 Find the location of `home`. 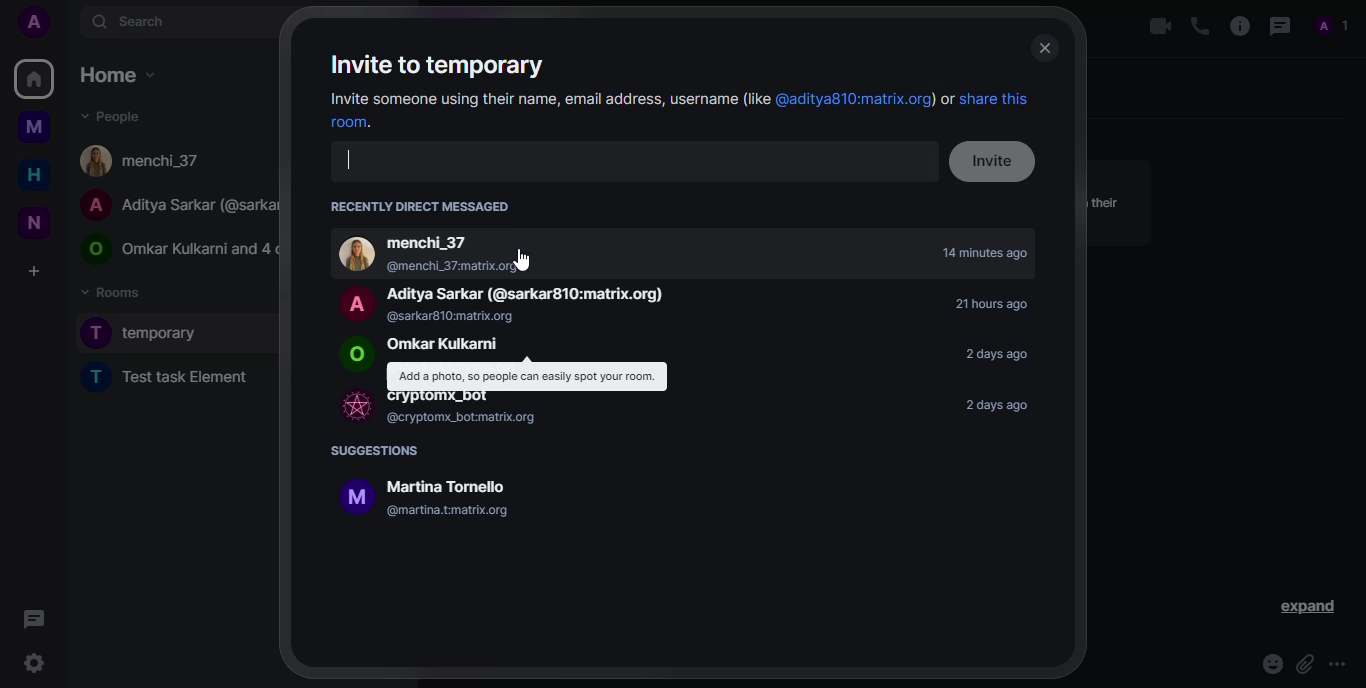

home is located at coordinates (117, 75).